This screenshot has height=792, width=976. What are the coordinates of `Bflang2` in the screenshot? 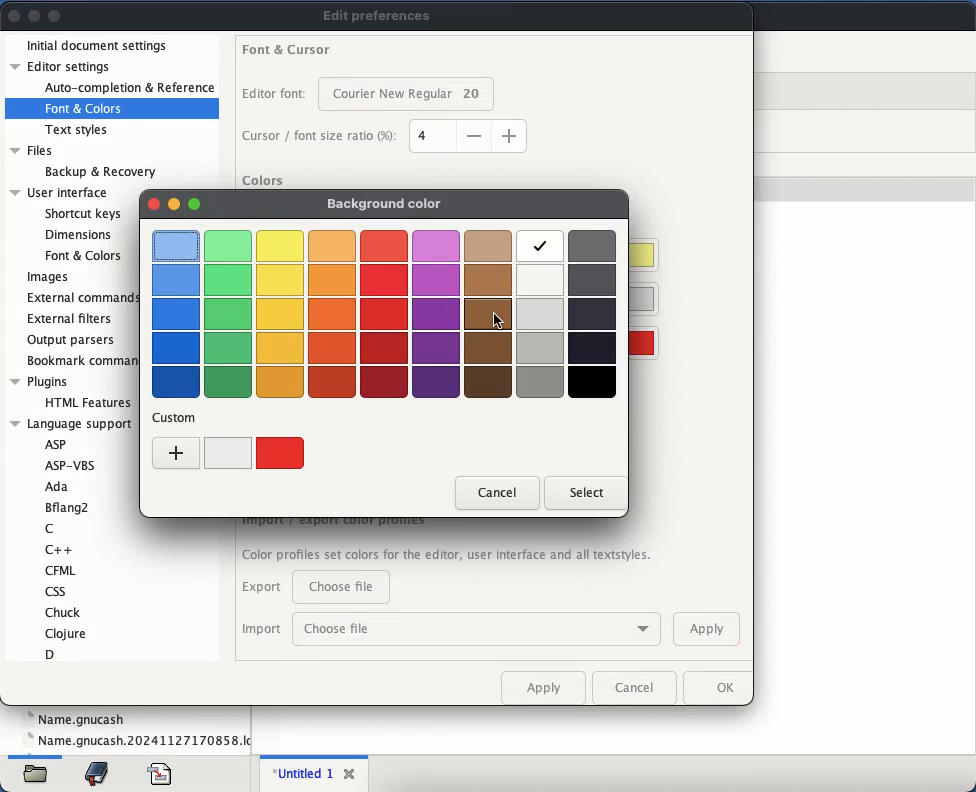 It's located at (68, 506).